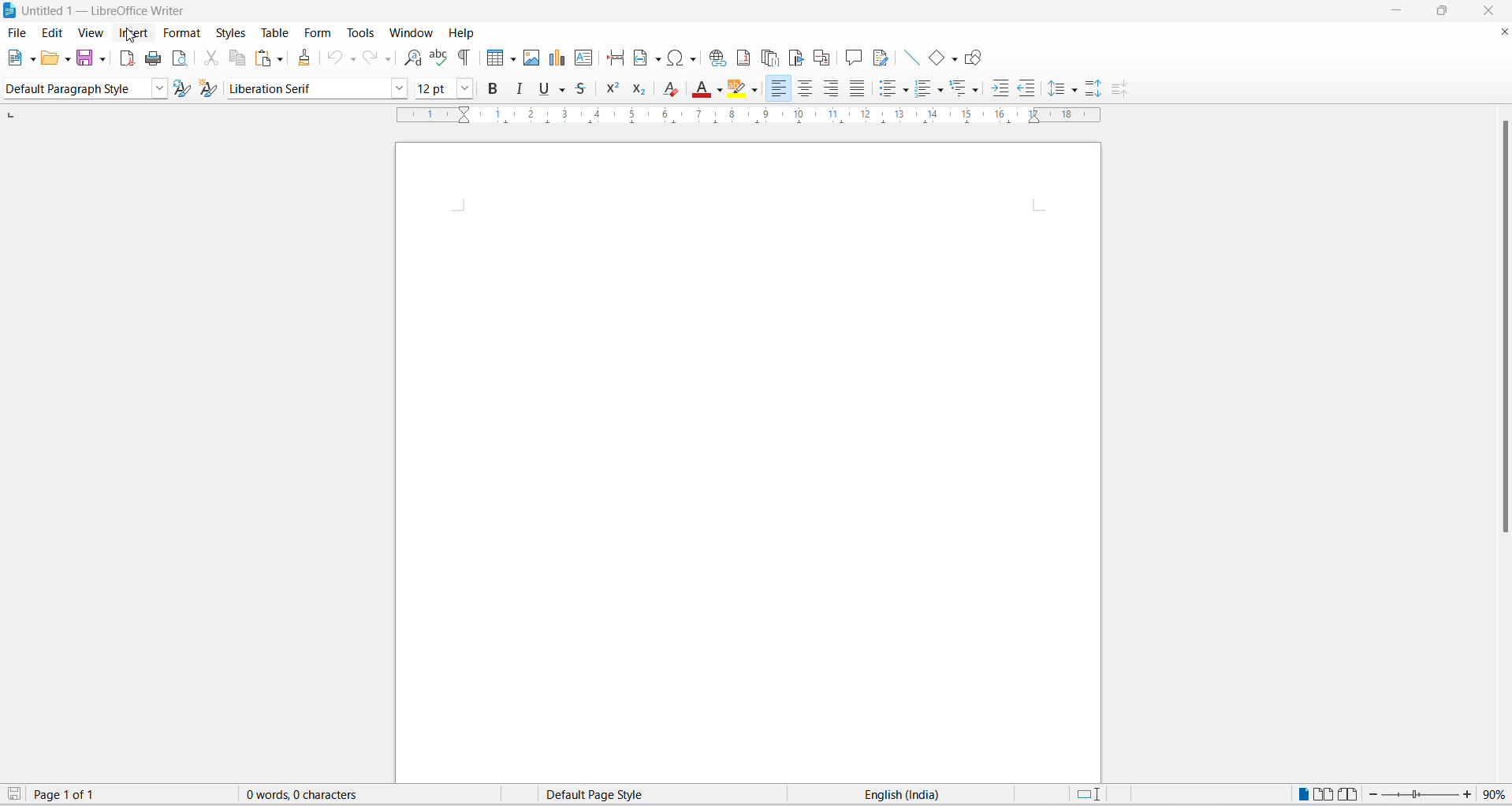 The image size is (1512, 806). What do you see at coordinates (923, 90) in the screenshot?
I see `toggle ordered list options` at bounding box center [923, 90].